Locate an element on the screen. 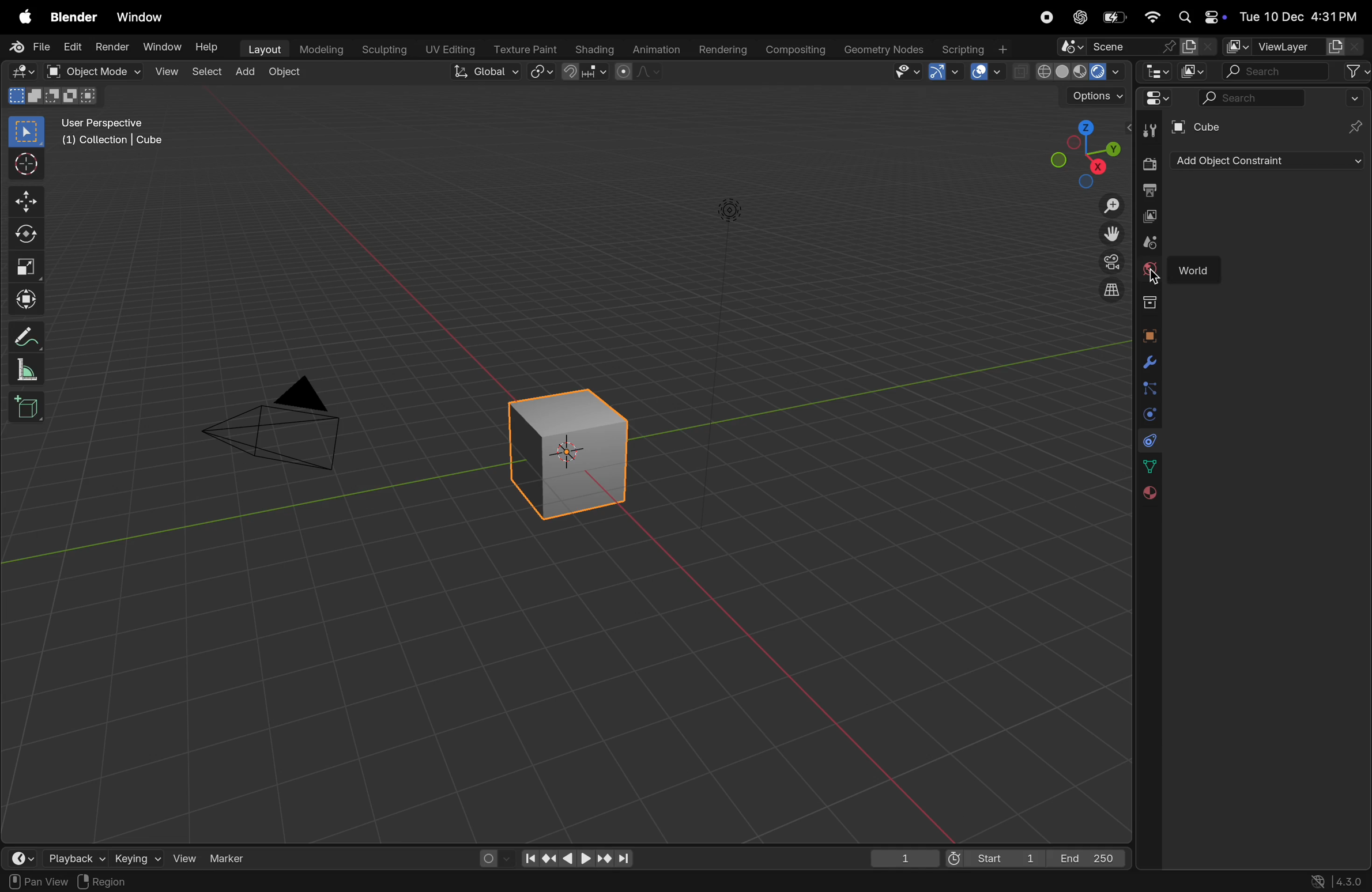 Image resolution: width=1372 pixels, height=892 pixels. snap is located at coordinates (586, 73).